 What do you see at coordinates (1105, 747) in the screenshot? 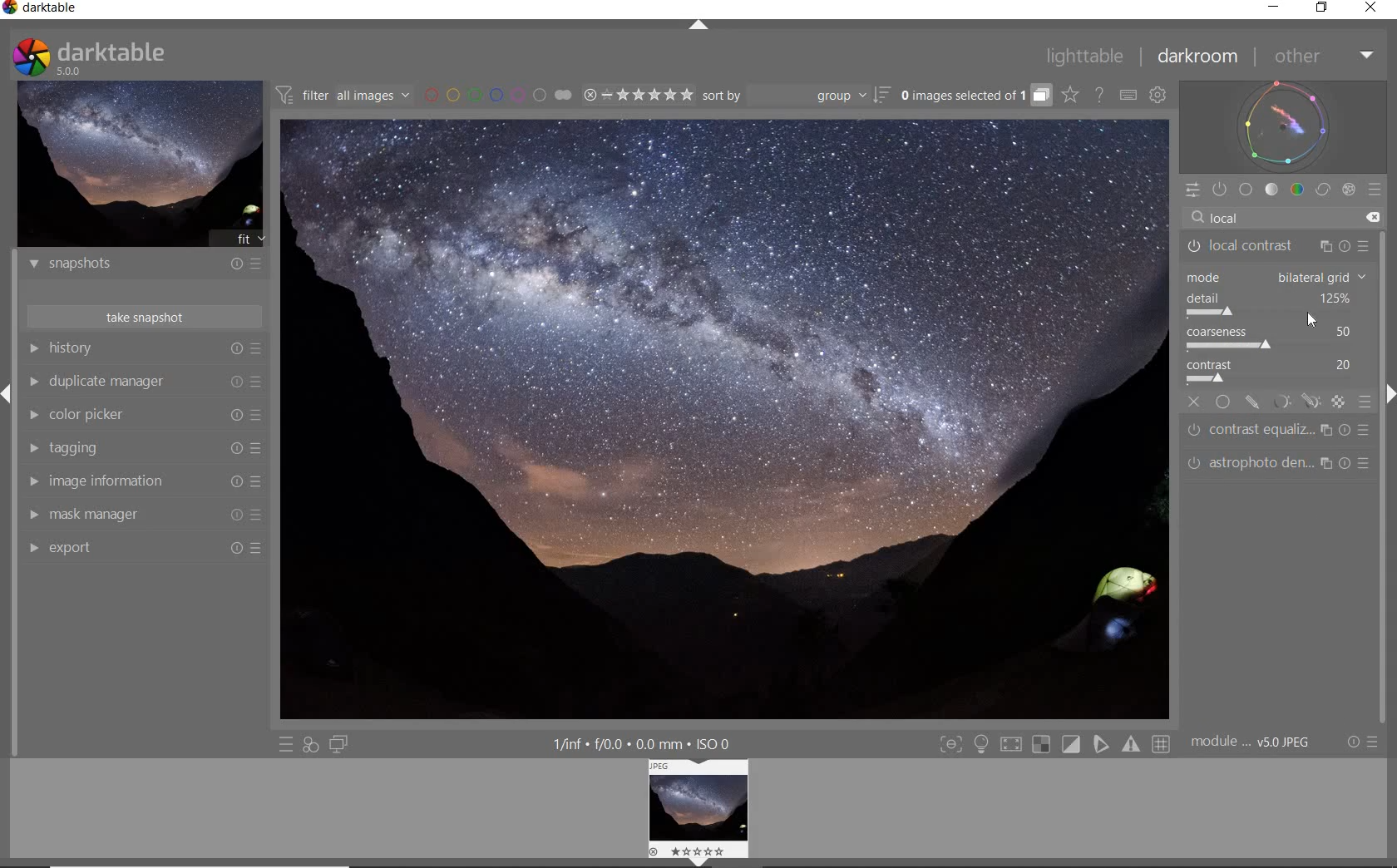
I see `toggle softproofing` at bounding box center [1105, 747].